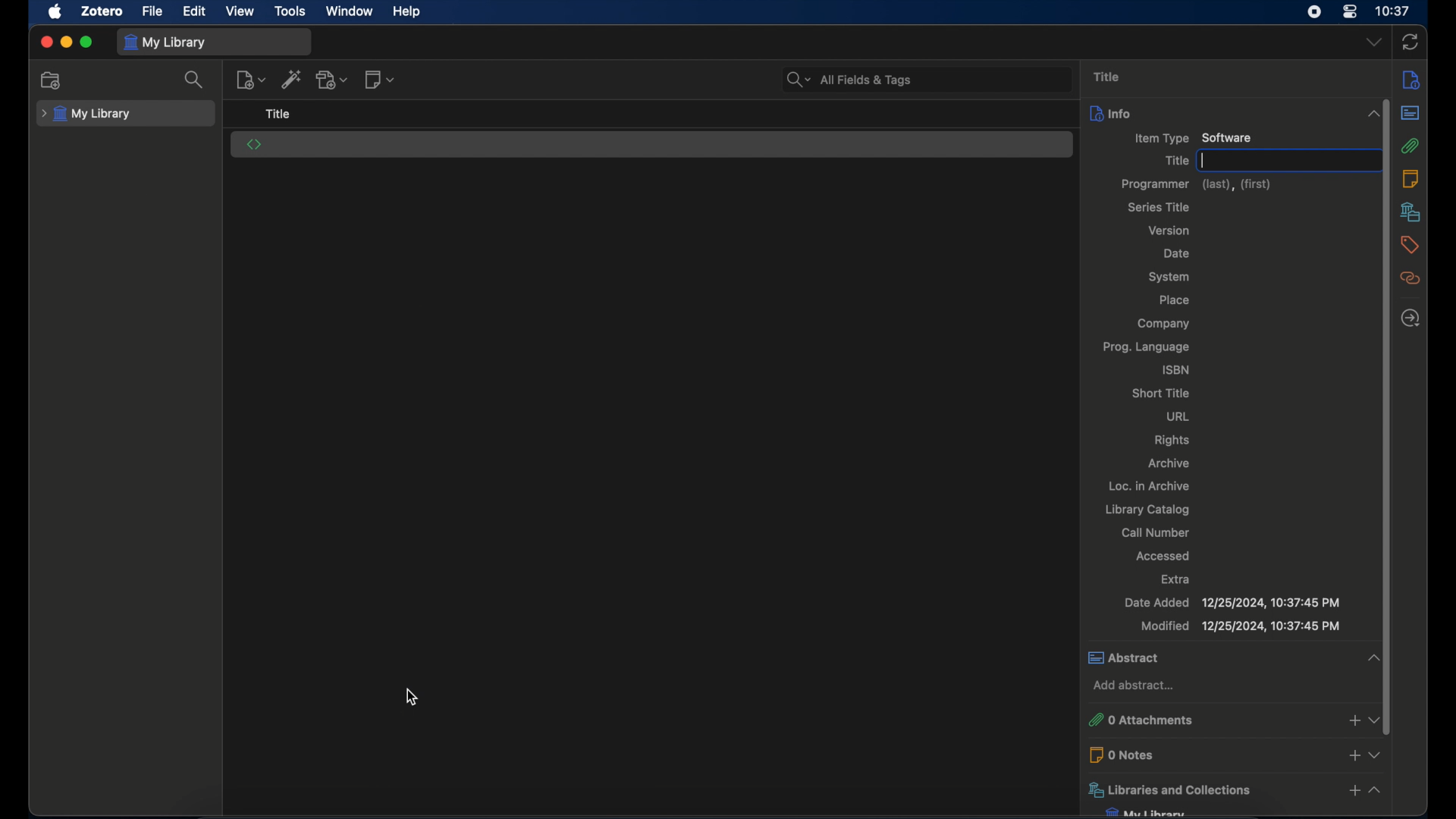 This screenshot has width=1456, height=819. I want to click on Aodified 12/25/2024, 10:37:45 PM, so click(1237, 626).